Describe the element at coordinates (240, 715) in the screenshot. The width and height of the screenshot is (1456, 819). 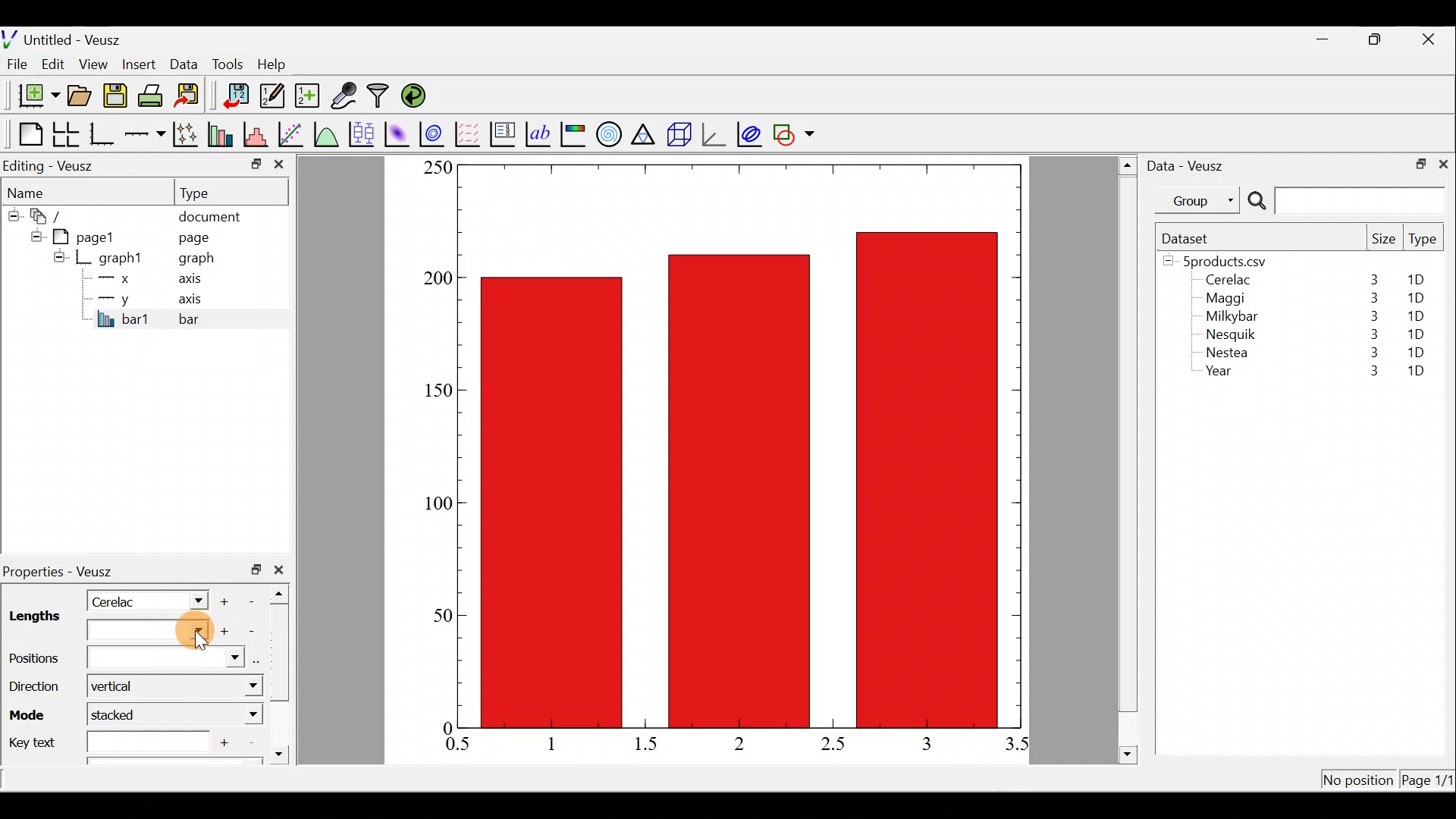
I see `mode dropdown` at that location.